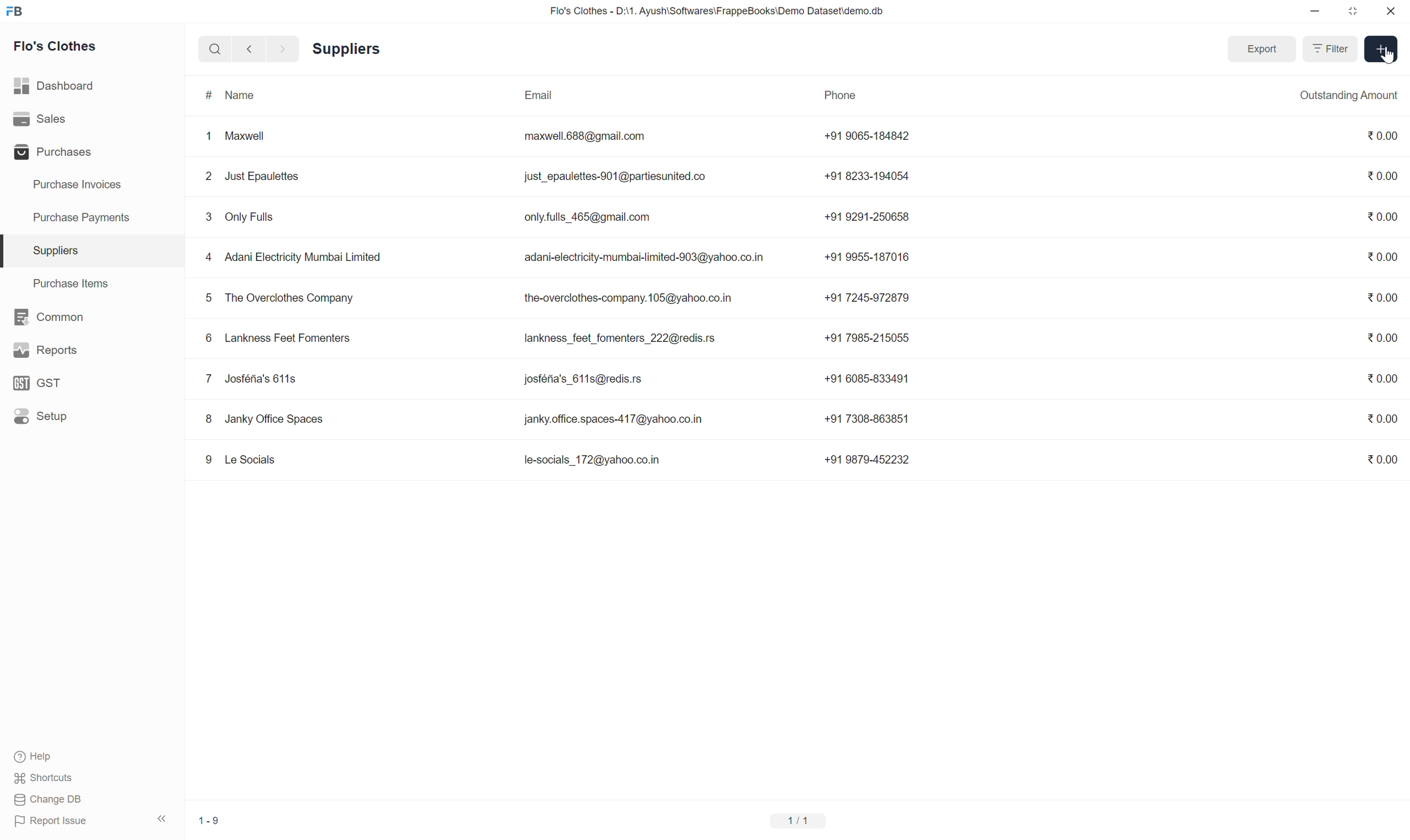  Describe the element at coordinates (237, 135) in the screenshot. I see `1 Maxwell` at that location.